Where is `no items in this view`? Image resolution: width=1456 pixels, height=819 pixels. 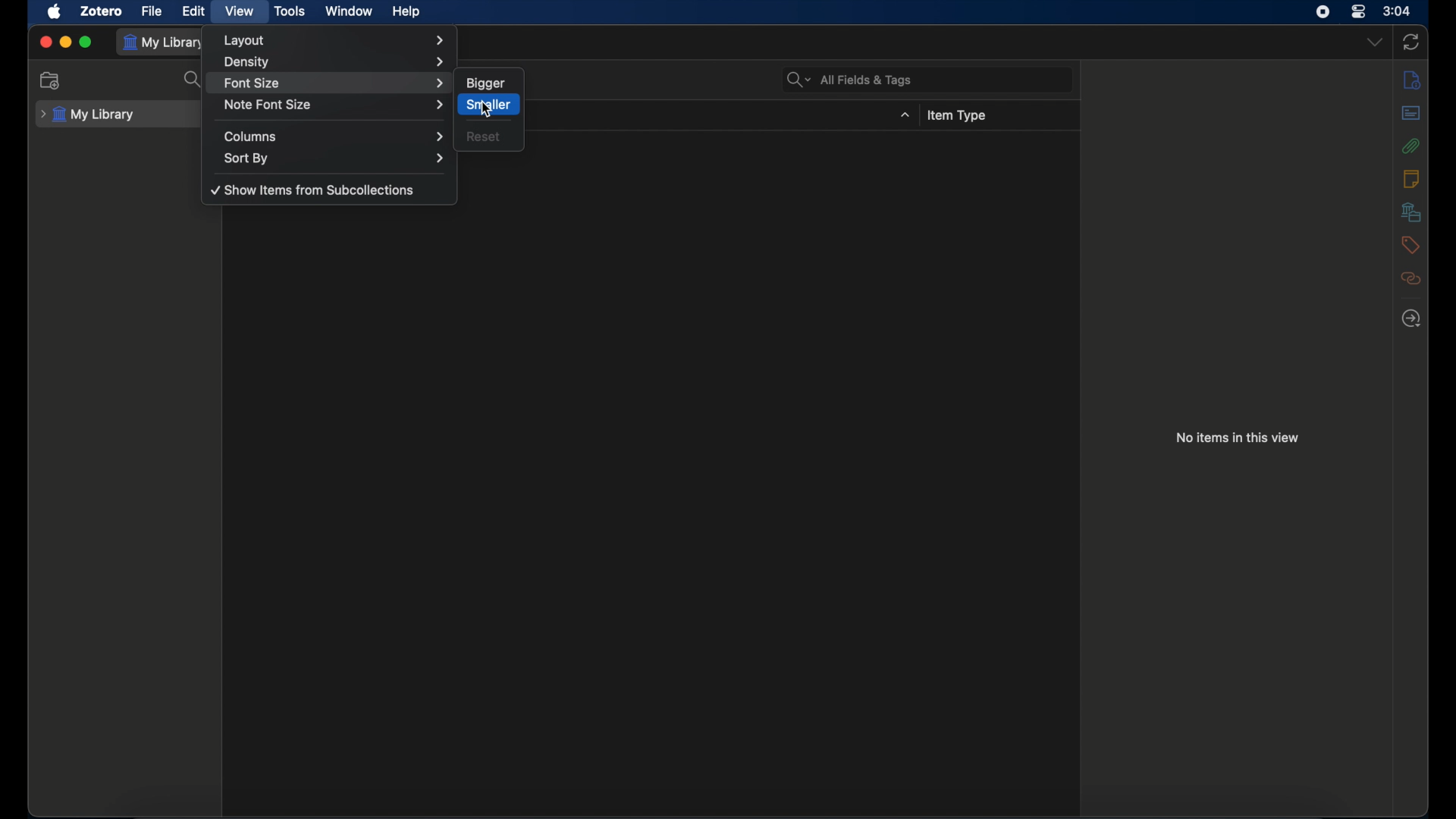 no items in this view is located at coordinates (1238, 437).